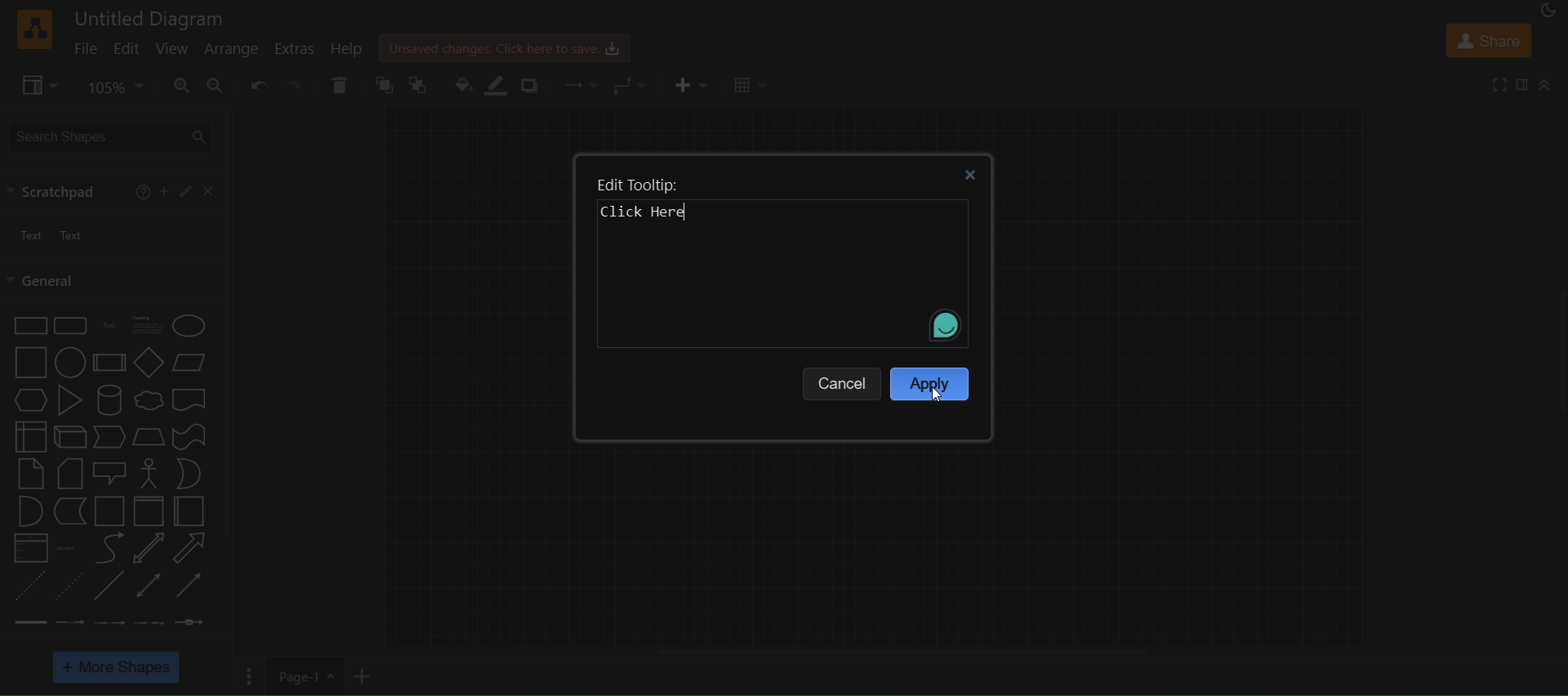  Describe the element at coordinates (1496, 83) in the screenshot. I see `fullscreen` at that location.